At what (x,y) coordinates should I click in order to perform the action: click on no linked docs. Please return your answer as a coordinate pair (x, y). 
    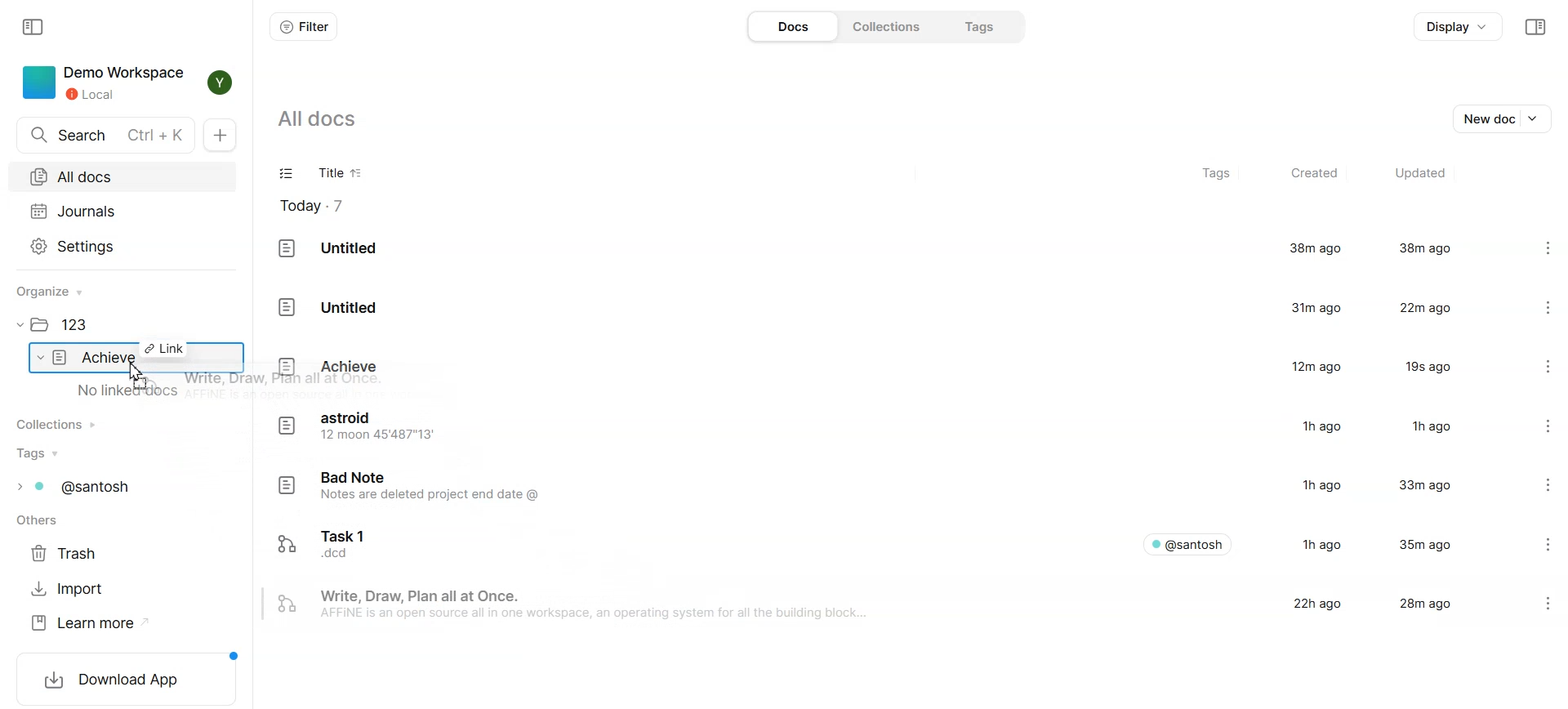
    Looking at the image, I should click on (130, 391).